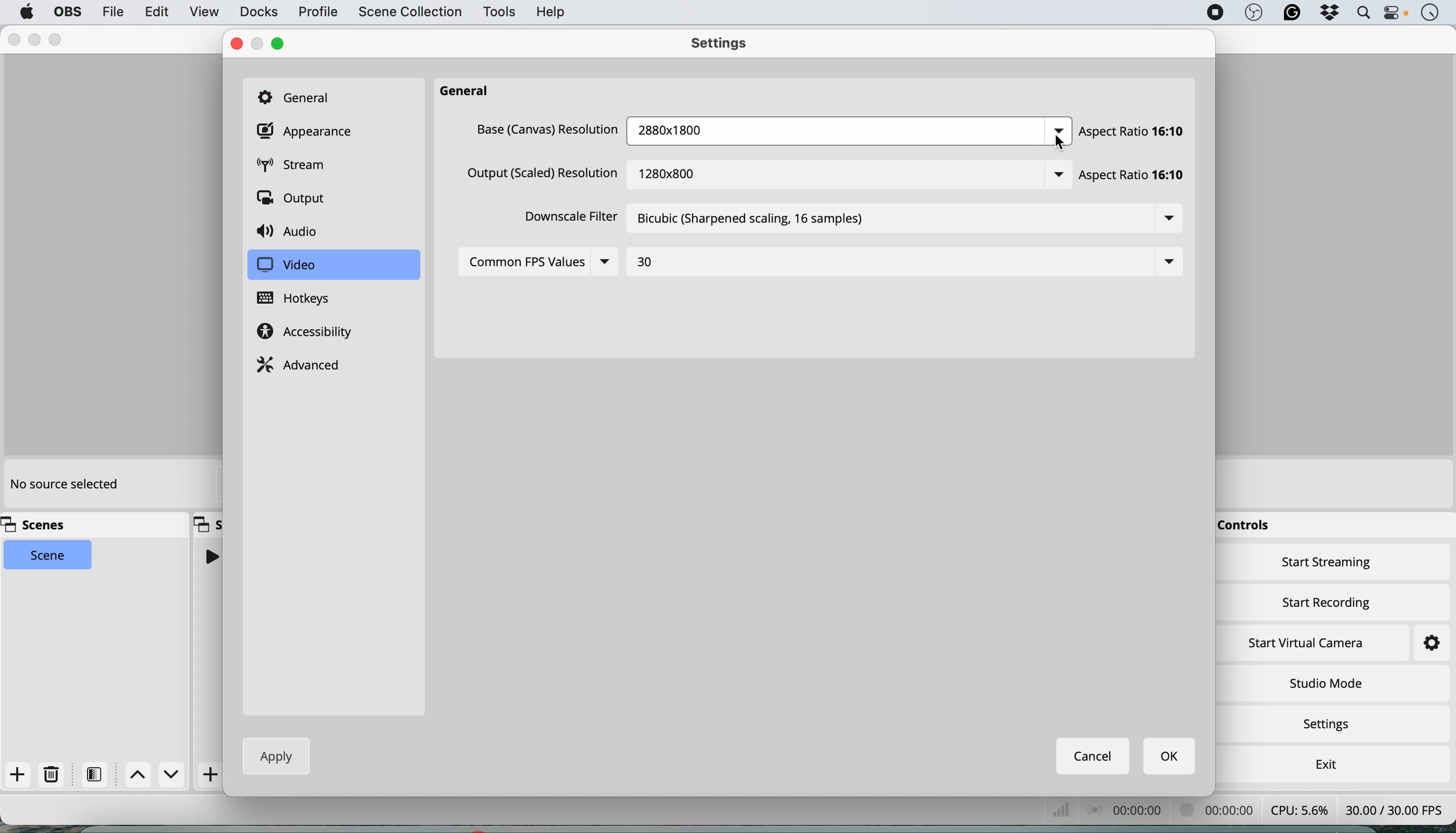 The width and height of the screenshot is (1456, 833). What do you see at coordinates (317, 13) in the screenshot?
I see `profile` at bounding box center [317, 13].